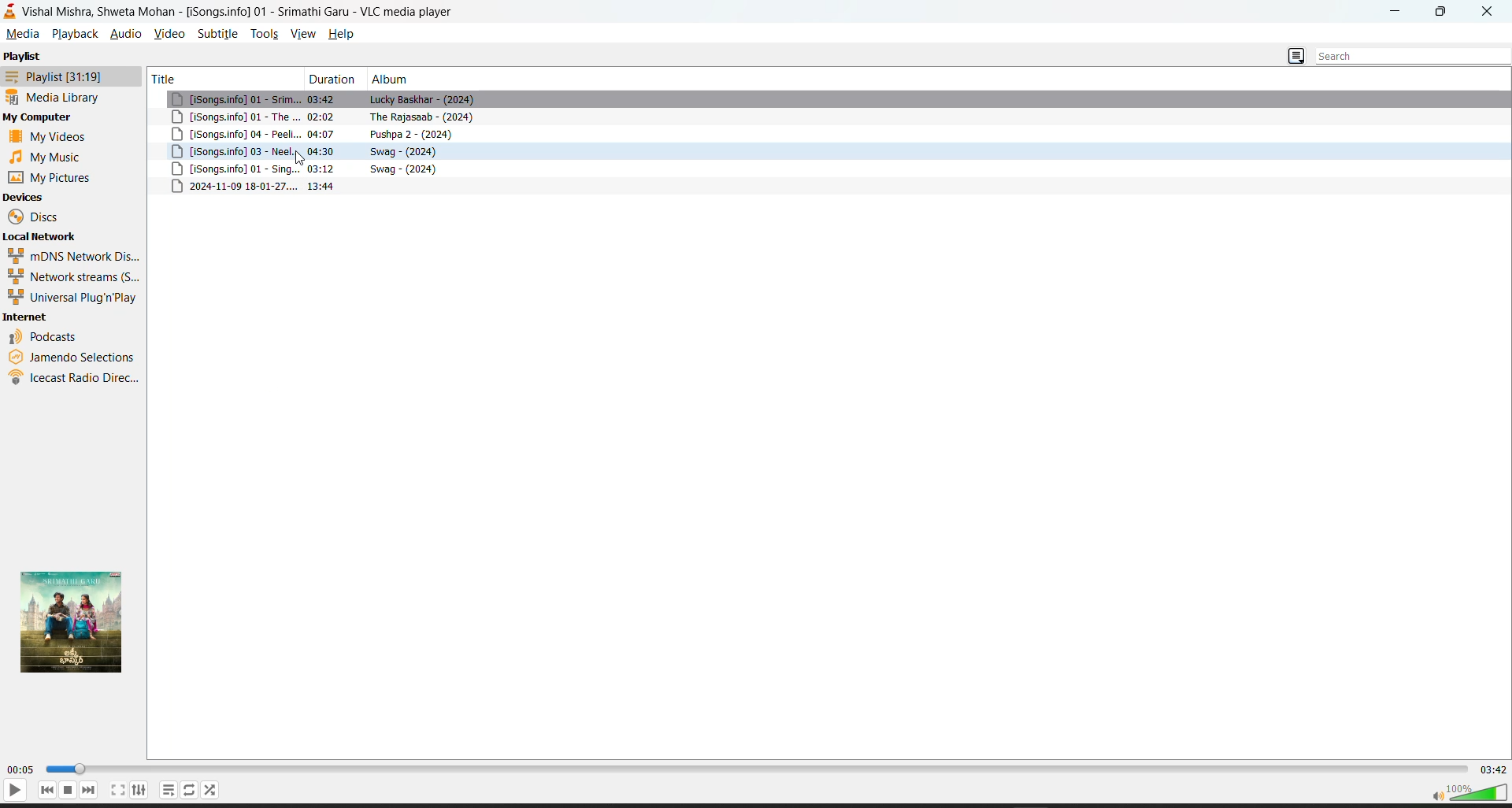 The width and height of the screenshot is (1512, 808). What do you see at coordinates (90, 790) in the screenshot?
I see `next` at bounding box center [90, 790].